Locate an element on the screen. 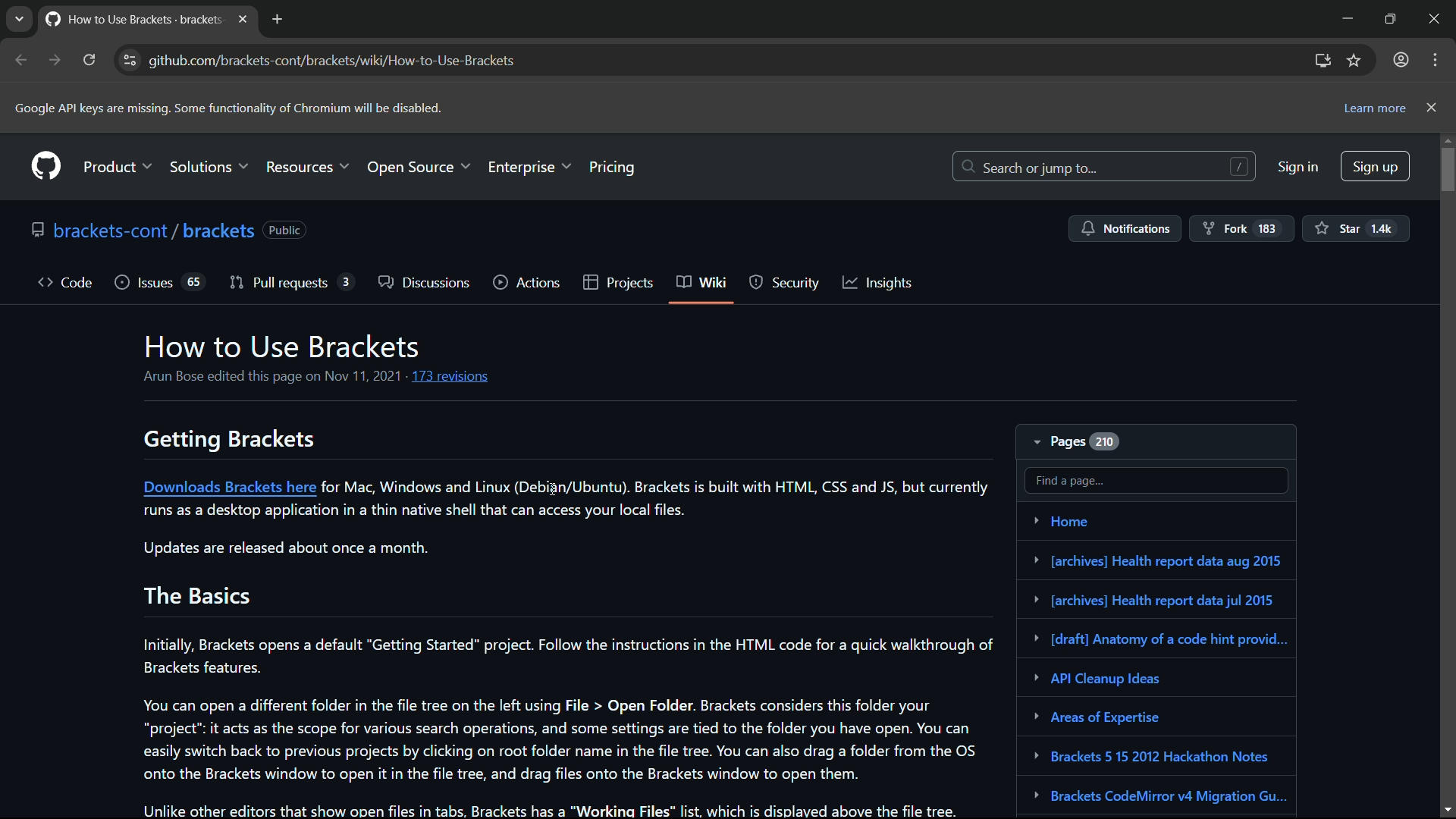  fork is located at coordinates (1241, 229).